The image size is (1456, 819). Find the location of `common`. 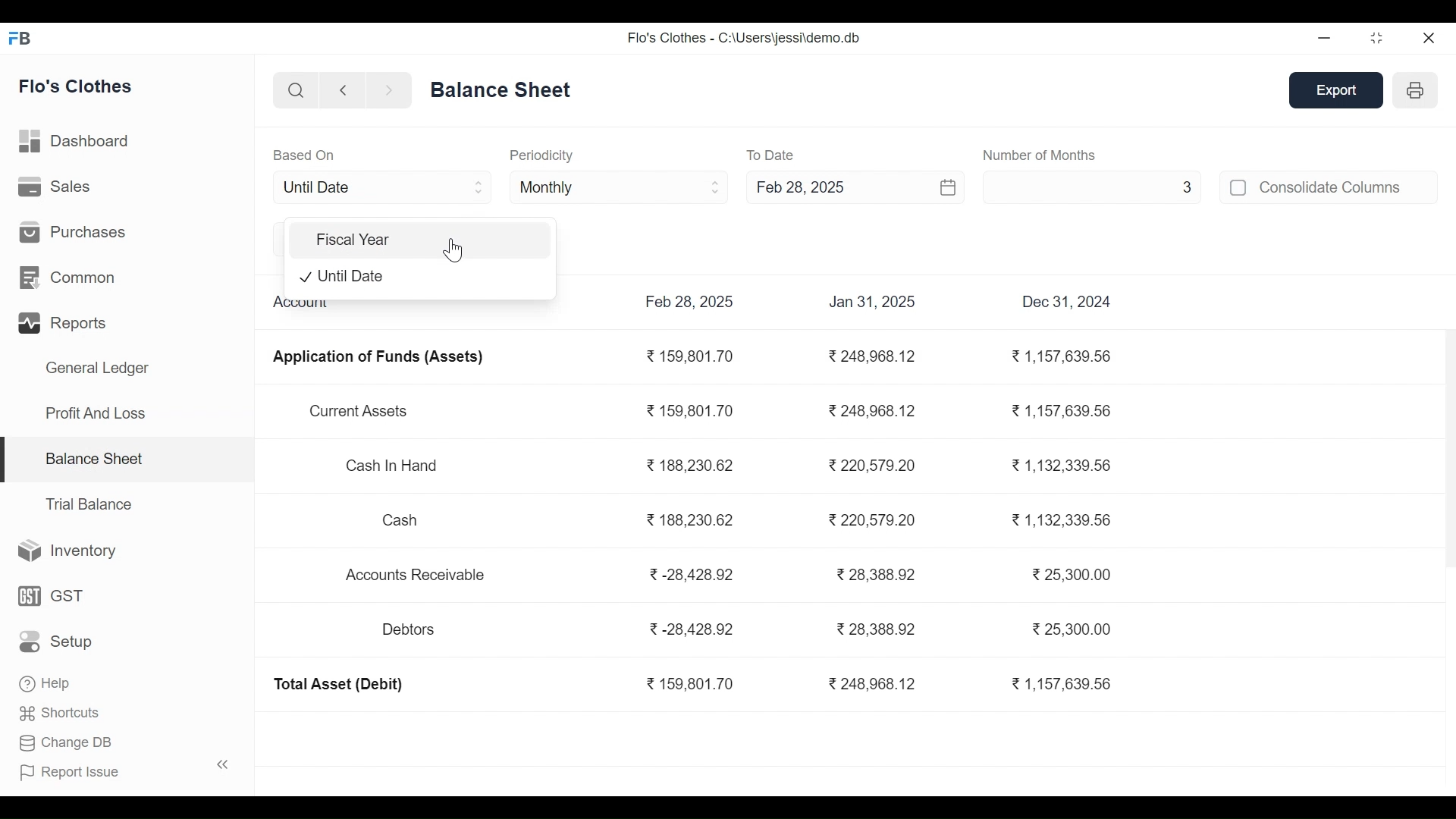

common is located at coordinates (71, 278).